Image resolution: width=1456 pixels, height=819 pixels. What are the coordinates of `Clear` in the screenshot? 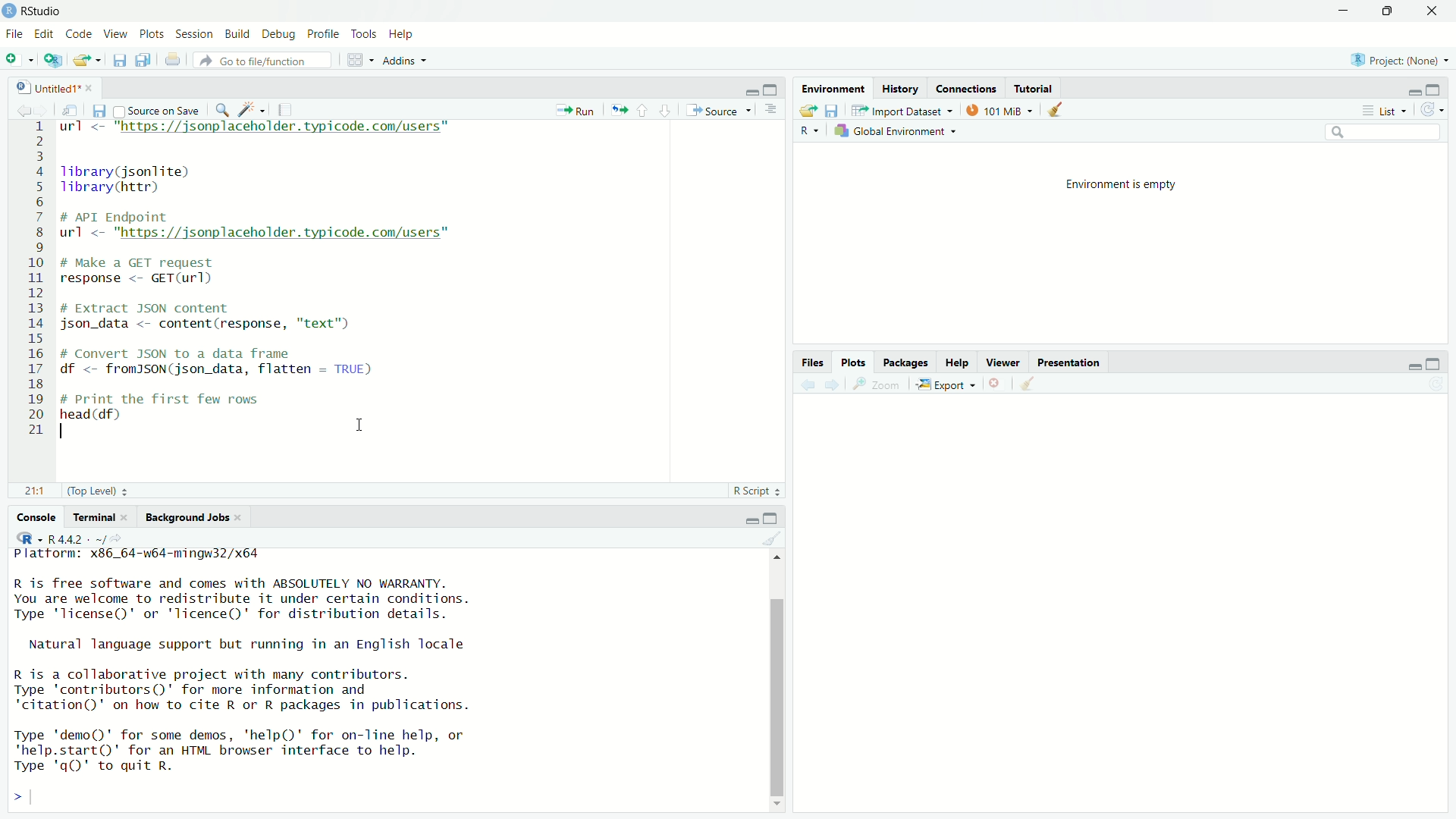 It's located at (771, 540).